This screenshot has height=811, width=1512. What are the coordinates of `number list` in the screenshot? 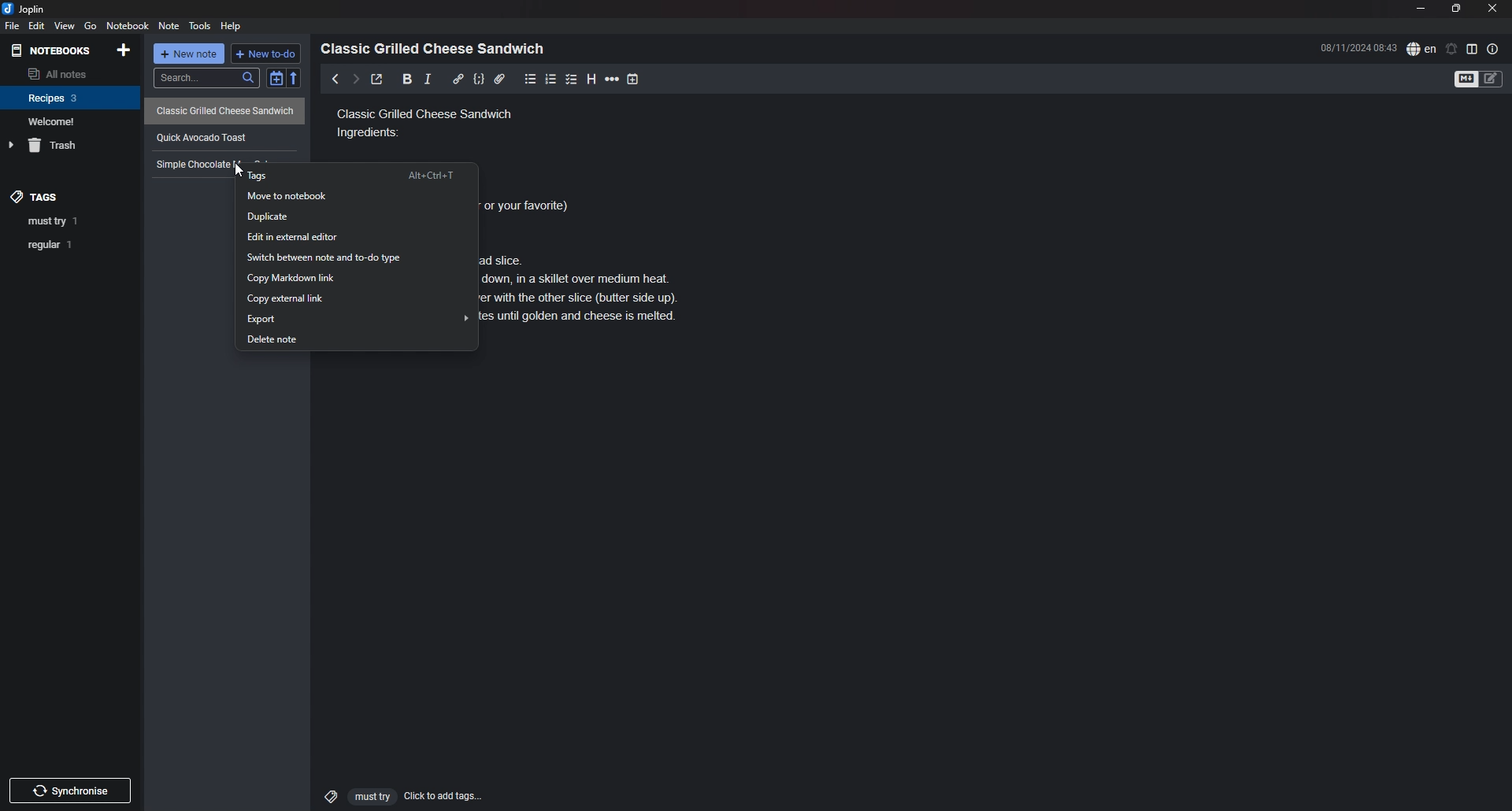 It's located at (551, 79).